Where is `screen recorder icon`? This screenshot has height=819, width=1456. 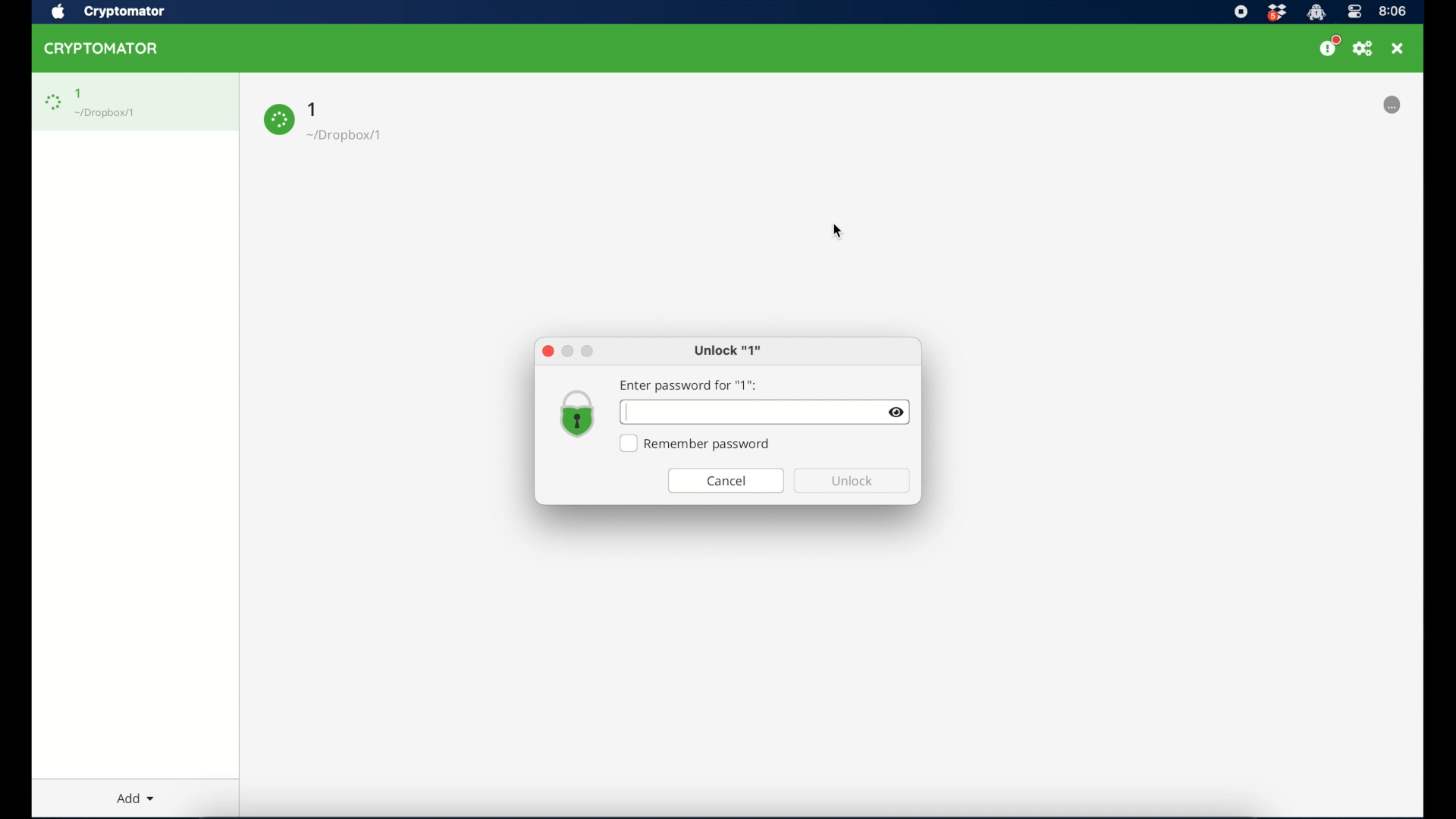
screen recorder icon is located at coordinates (1241, 11).